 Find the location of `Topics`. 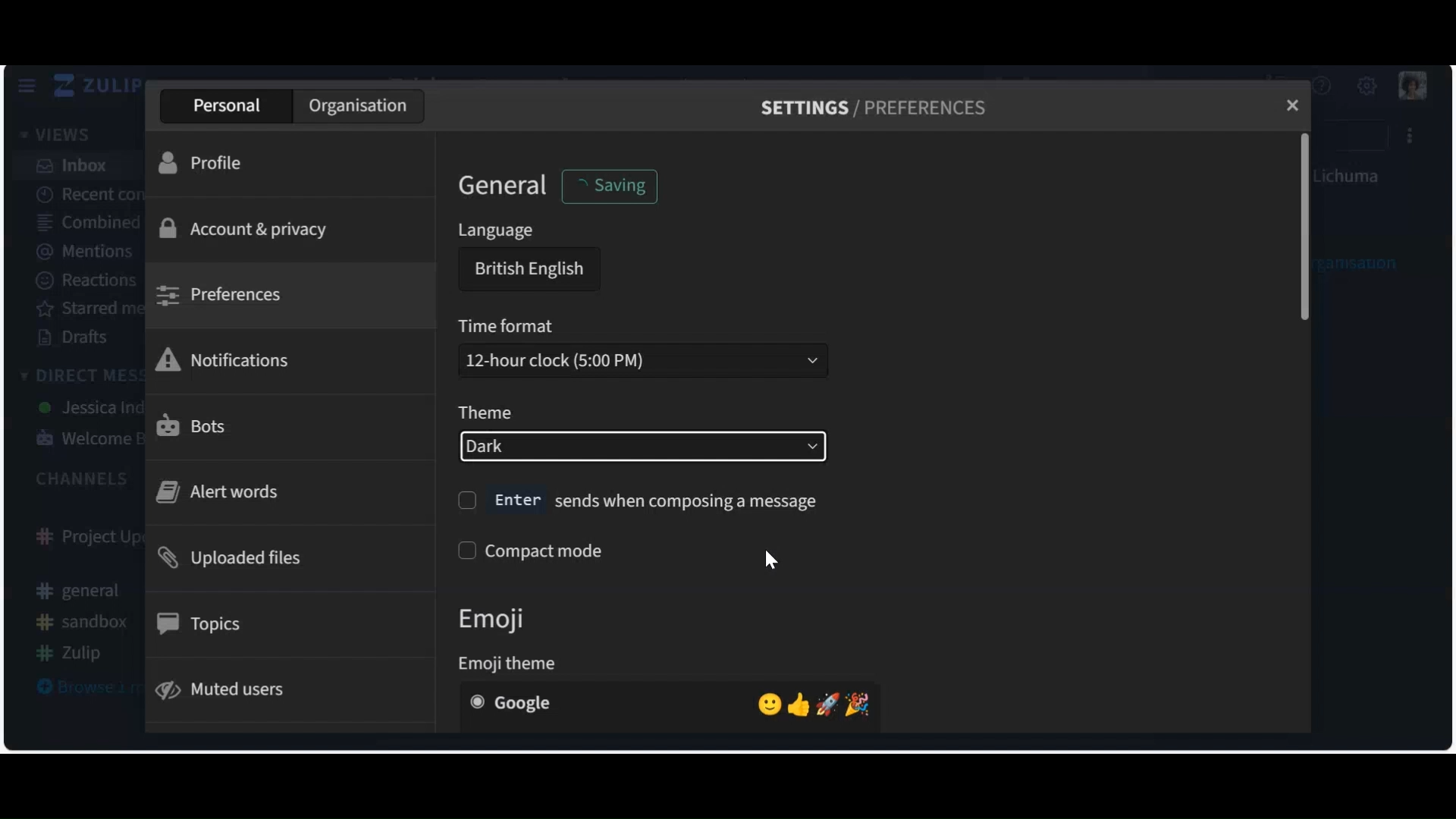

Topics is located at coordinates (202, 623).